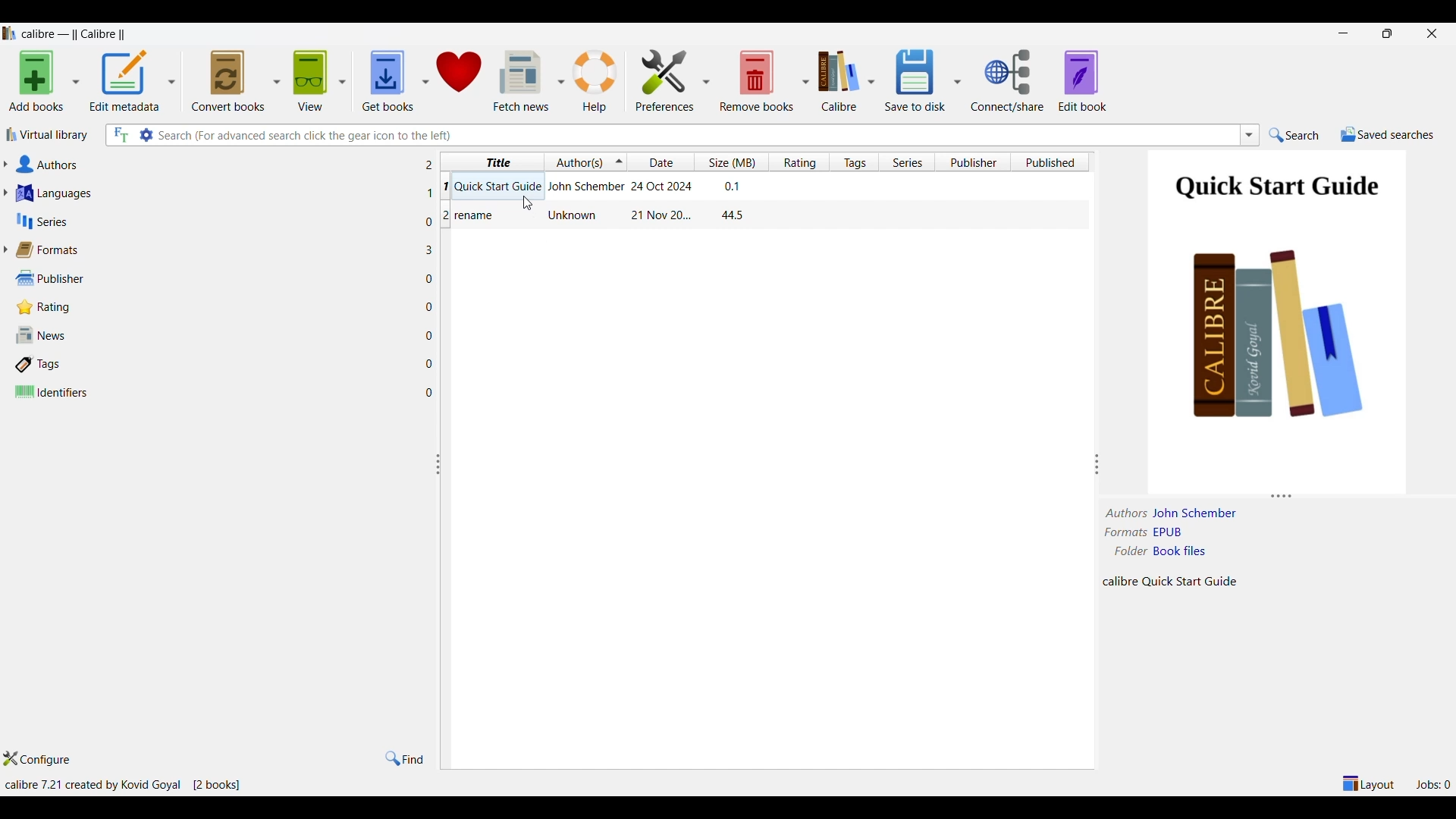  Describe the element at coordinates (1083, 80) in the screenshot. I see `Edit book` at that location.